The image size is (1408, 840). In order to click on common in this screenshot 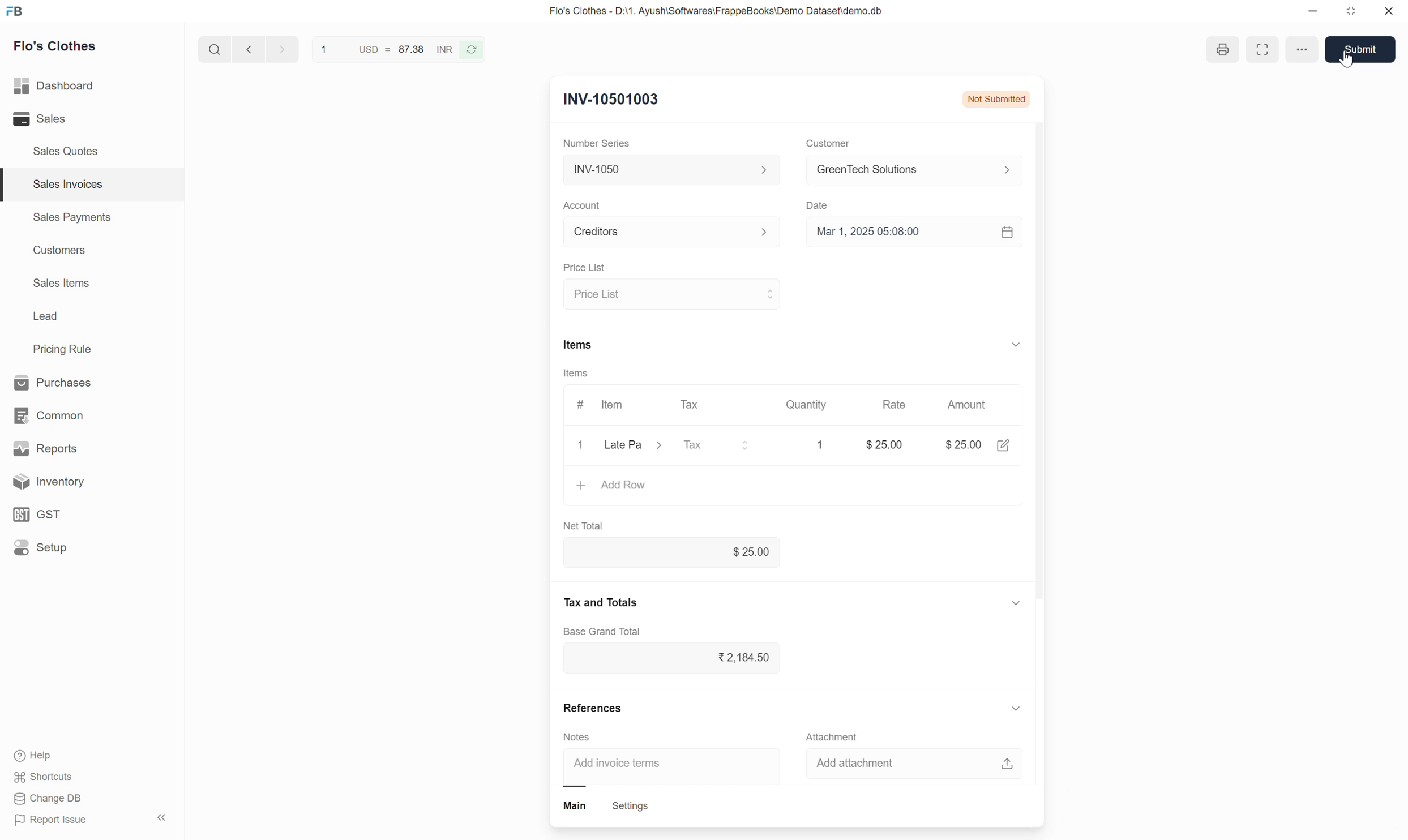, I will do `click(74, 413)`.